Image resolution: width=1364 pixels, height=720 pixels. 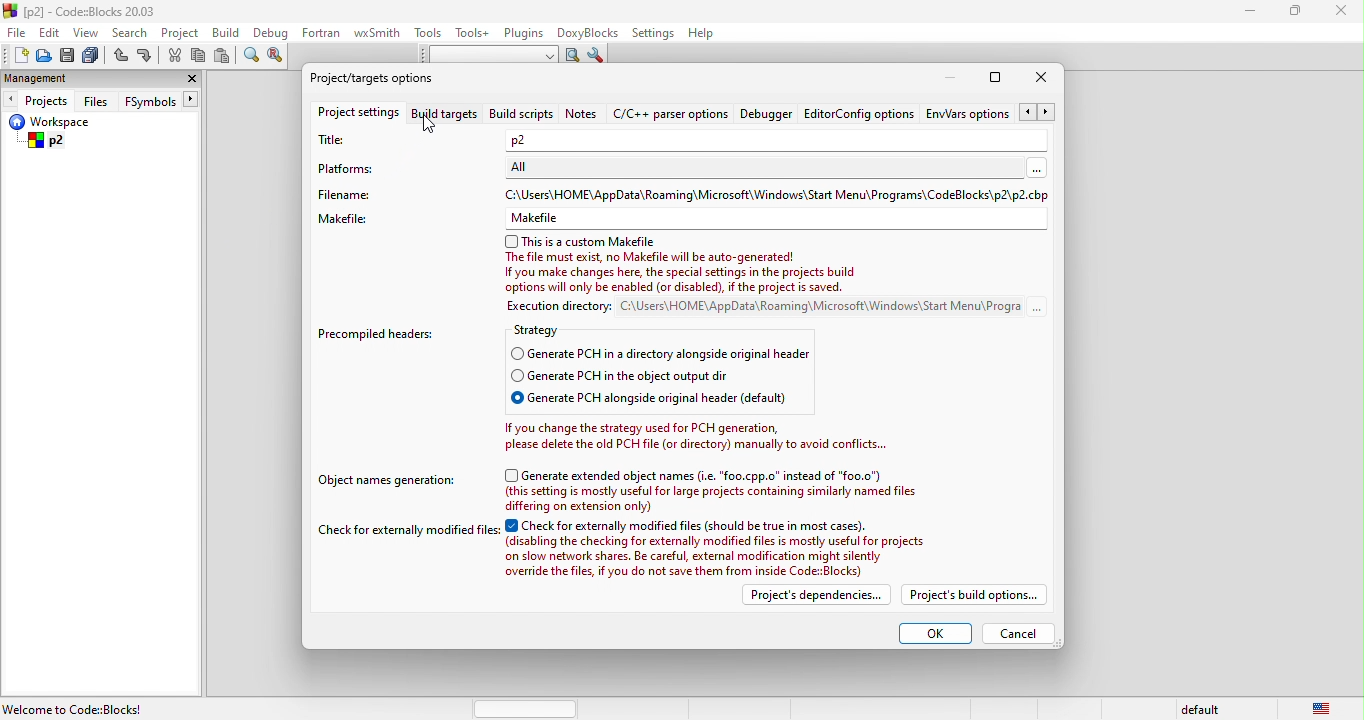 What do you see at coordinates (81, 11) in the screenshot?
I see `[p2] - Code=Blocks 20.03` at bounding box center [81, 11].